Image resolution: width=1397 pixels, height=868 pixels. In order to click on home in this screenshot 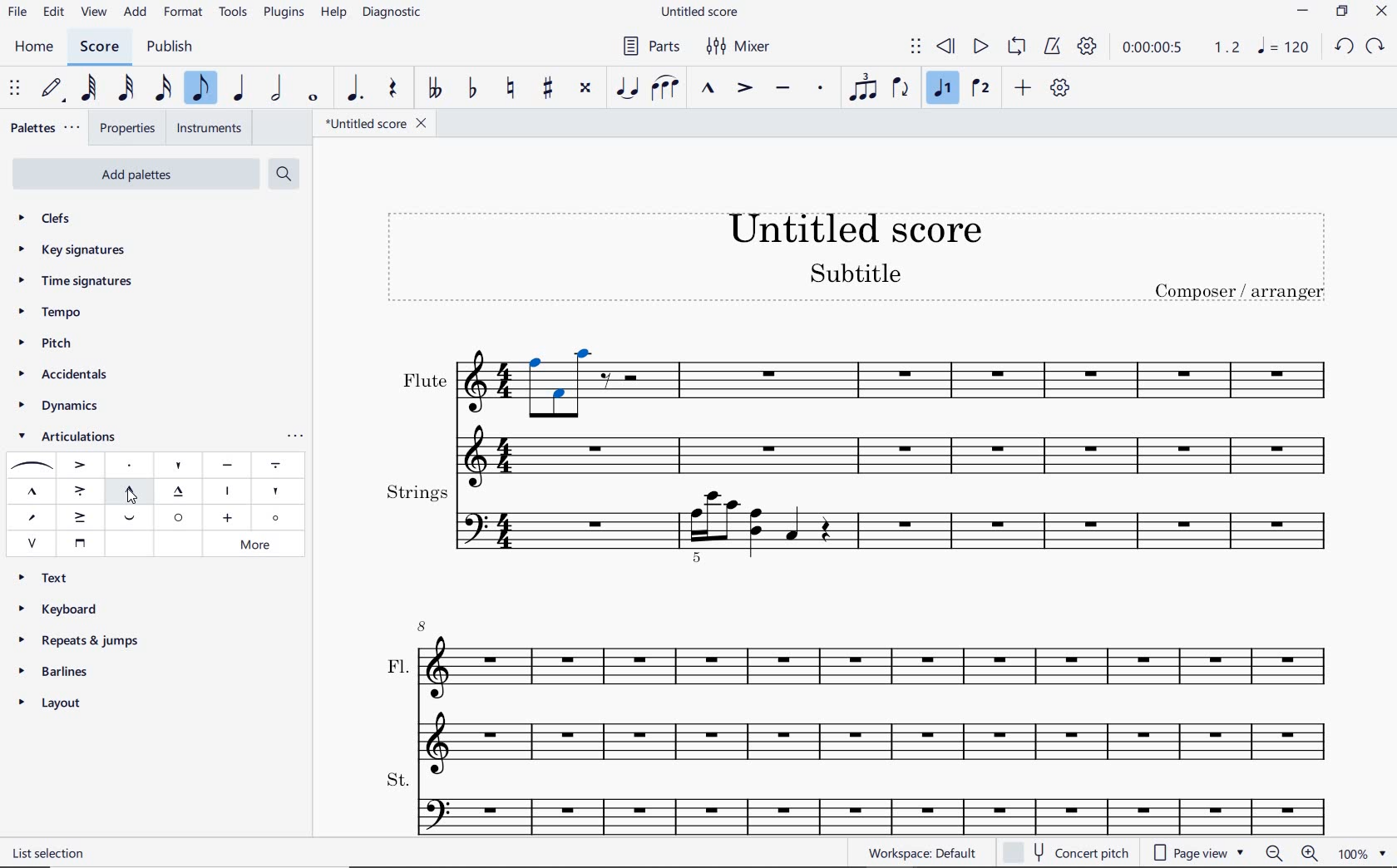, I will do `click(37, 48)`.